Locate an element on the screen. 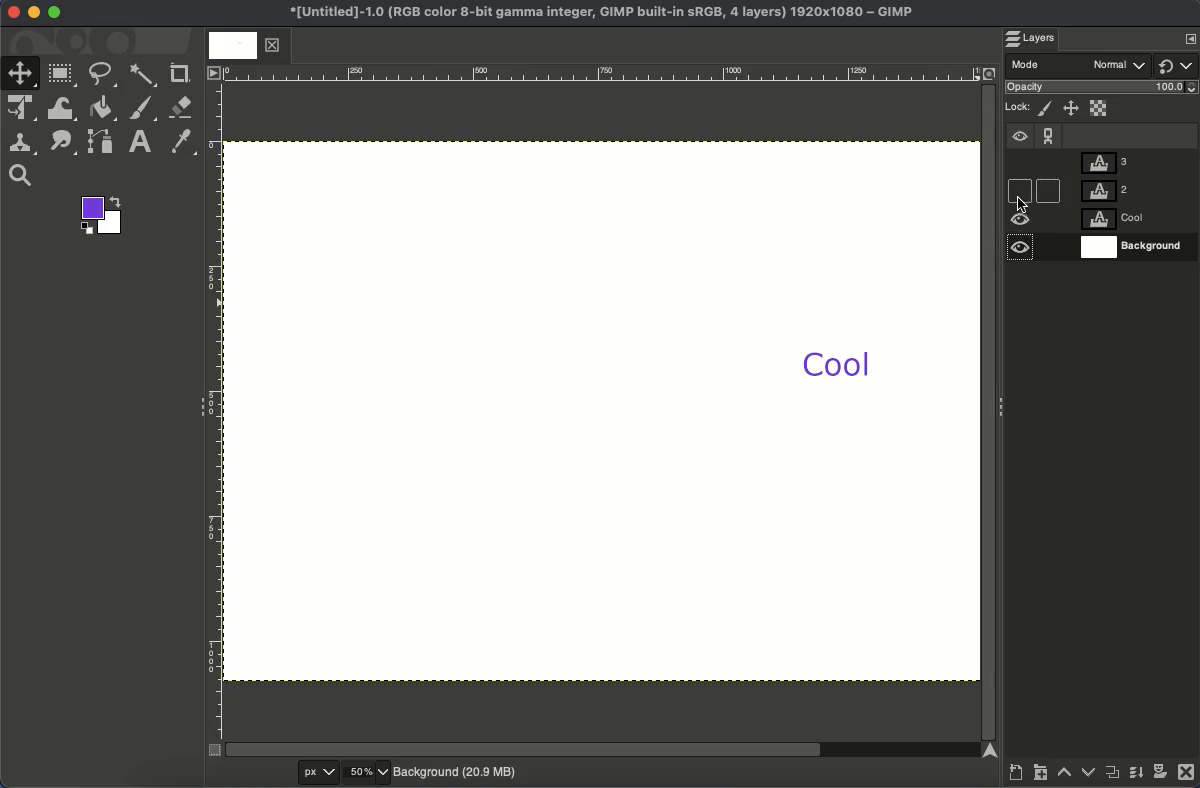 This screenshot has width=1200, height=788. Text is located at coordinates (142, 141).